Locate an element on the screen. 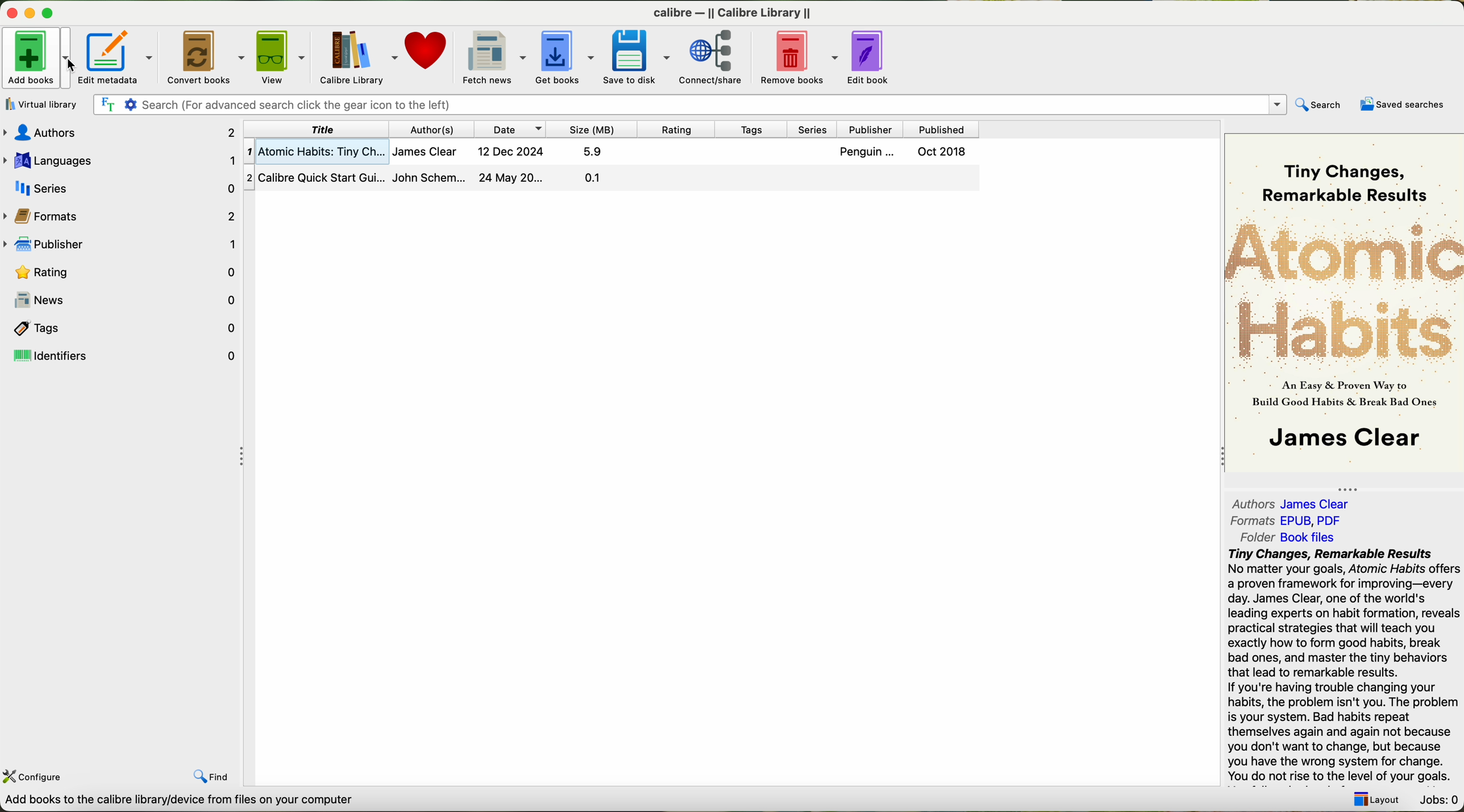  first book is located at coordinates (615, 154).